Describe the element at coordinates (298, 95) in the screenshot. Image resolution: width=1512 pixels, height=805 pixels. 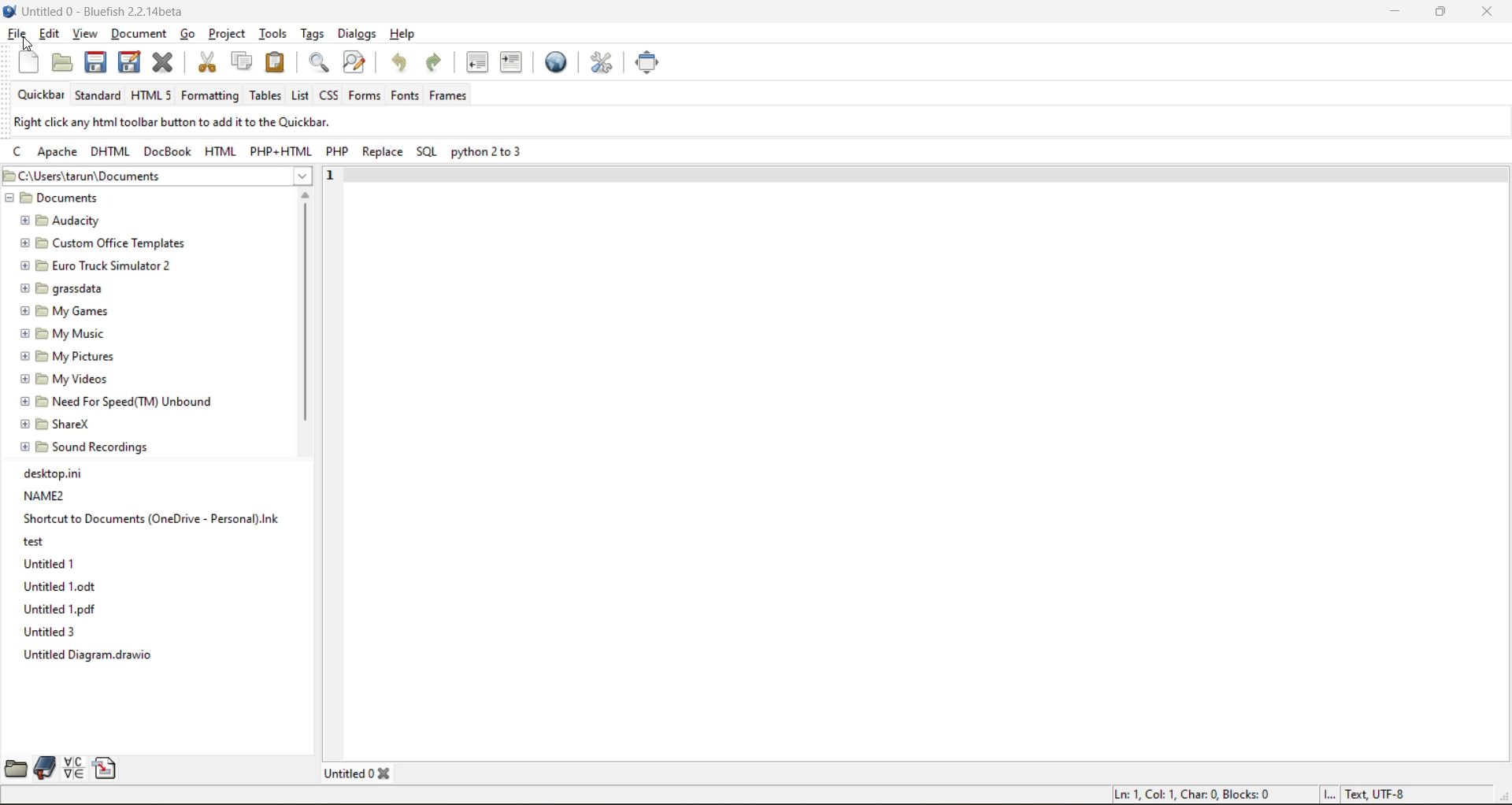
I see `list` at that location.